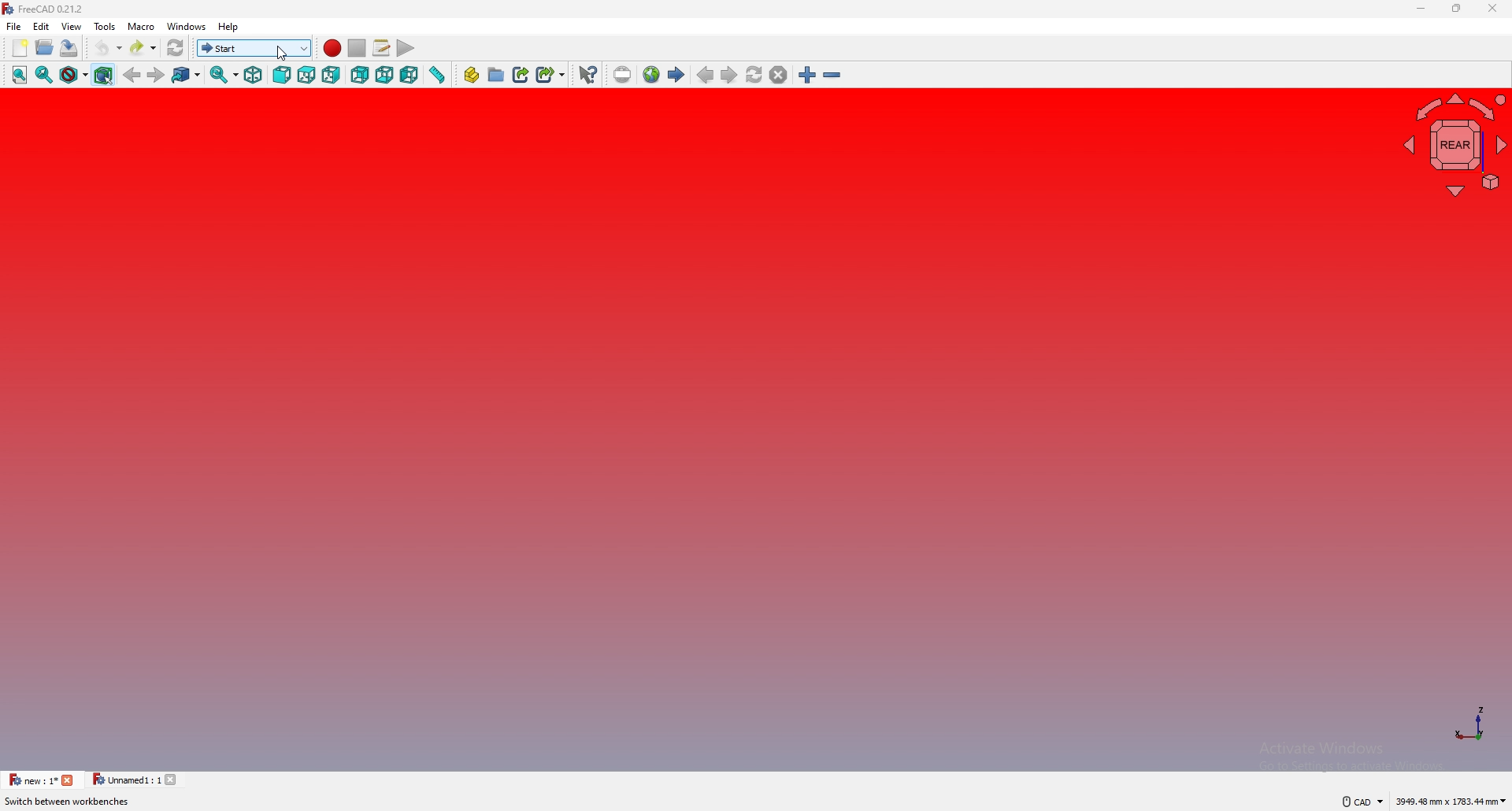 The width and height of the screenshot is (1512, 811). What do you see at coordinates (1458, 8) in the screenshot?
I see `resize` at bounding box center [1458, 8].